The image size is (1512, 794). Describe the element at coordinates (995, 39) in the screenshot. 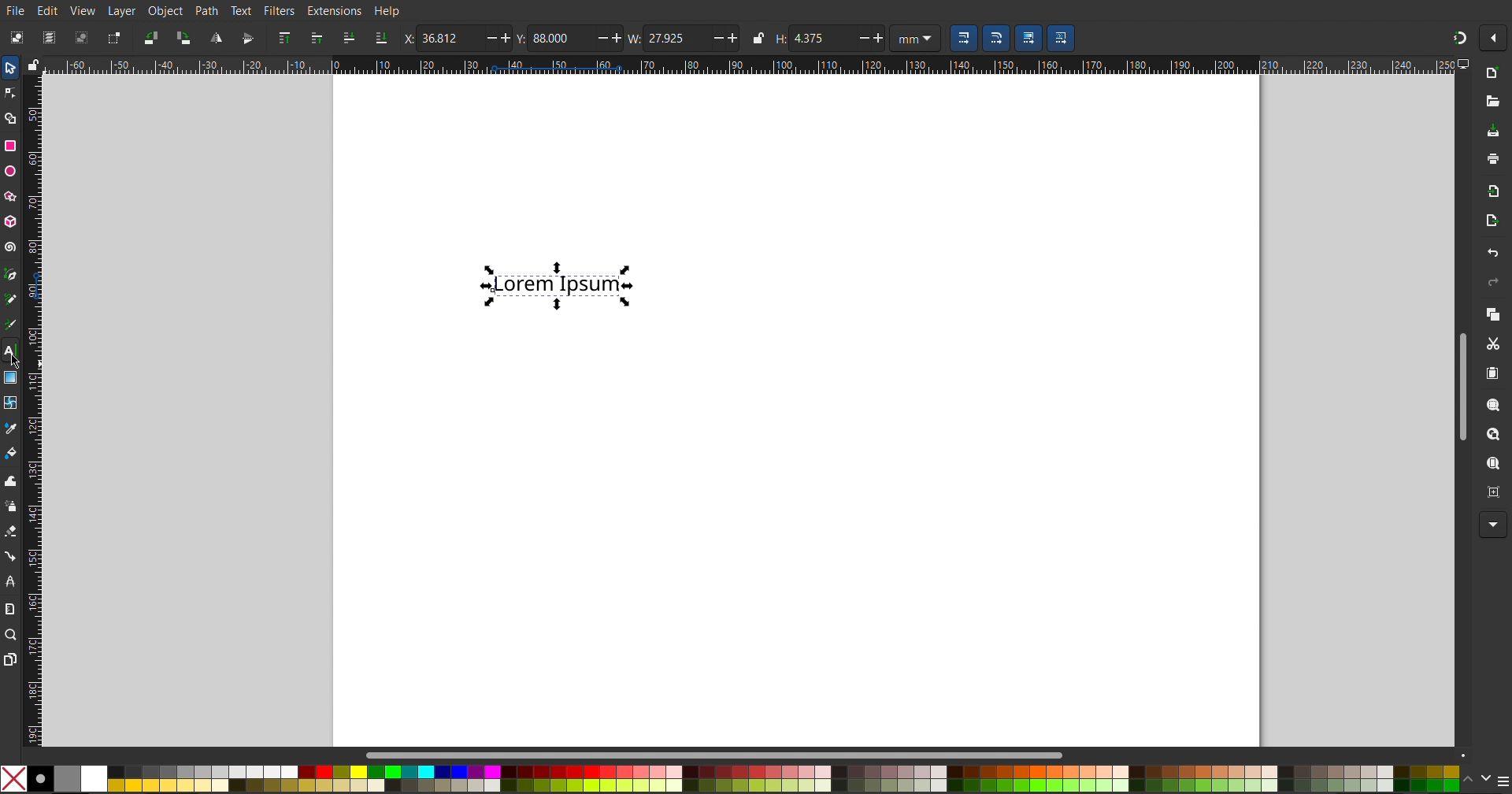

I see `Scale radii of round corners` at that location.